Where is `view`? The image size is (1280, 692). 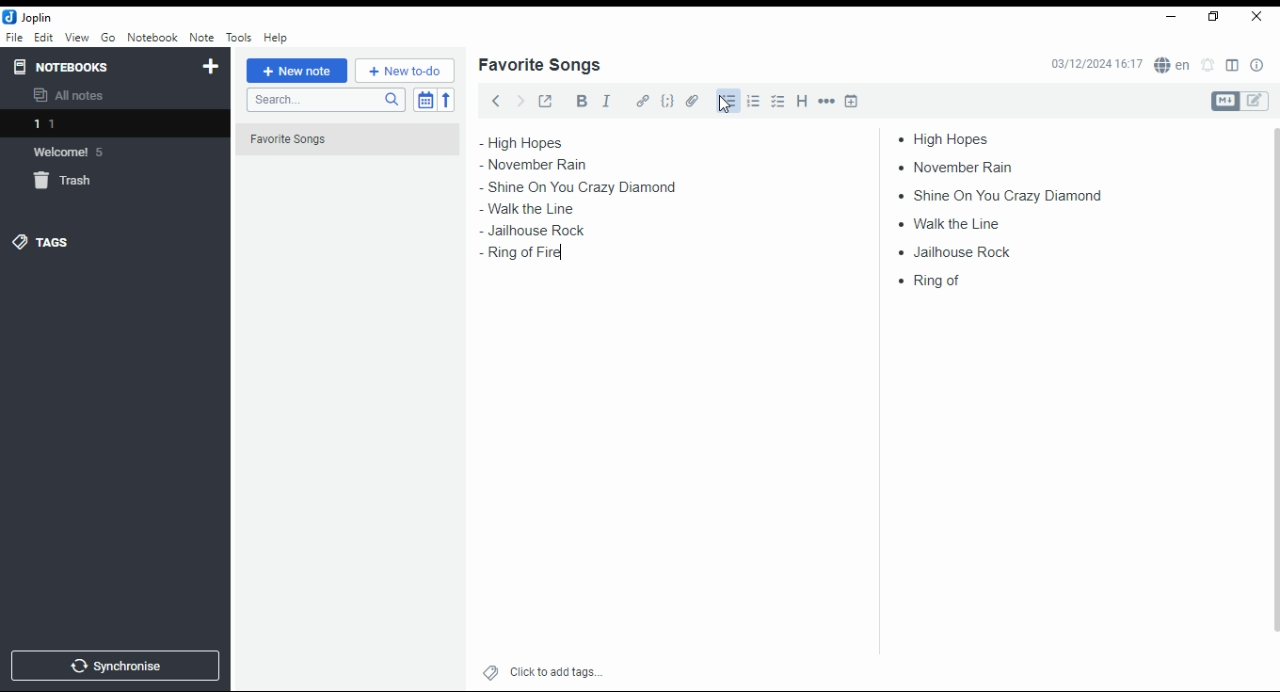 view is located at coordinates (77, 38).